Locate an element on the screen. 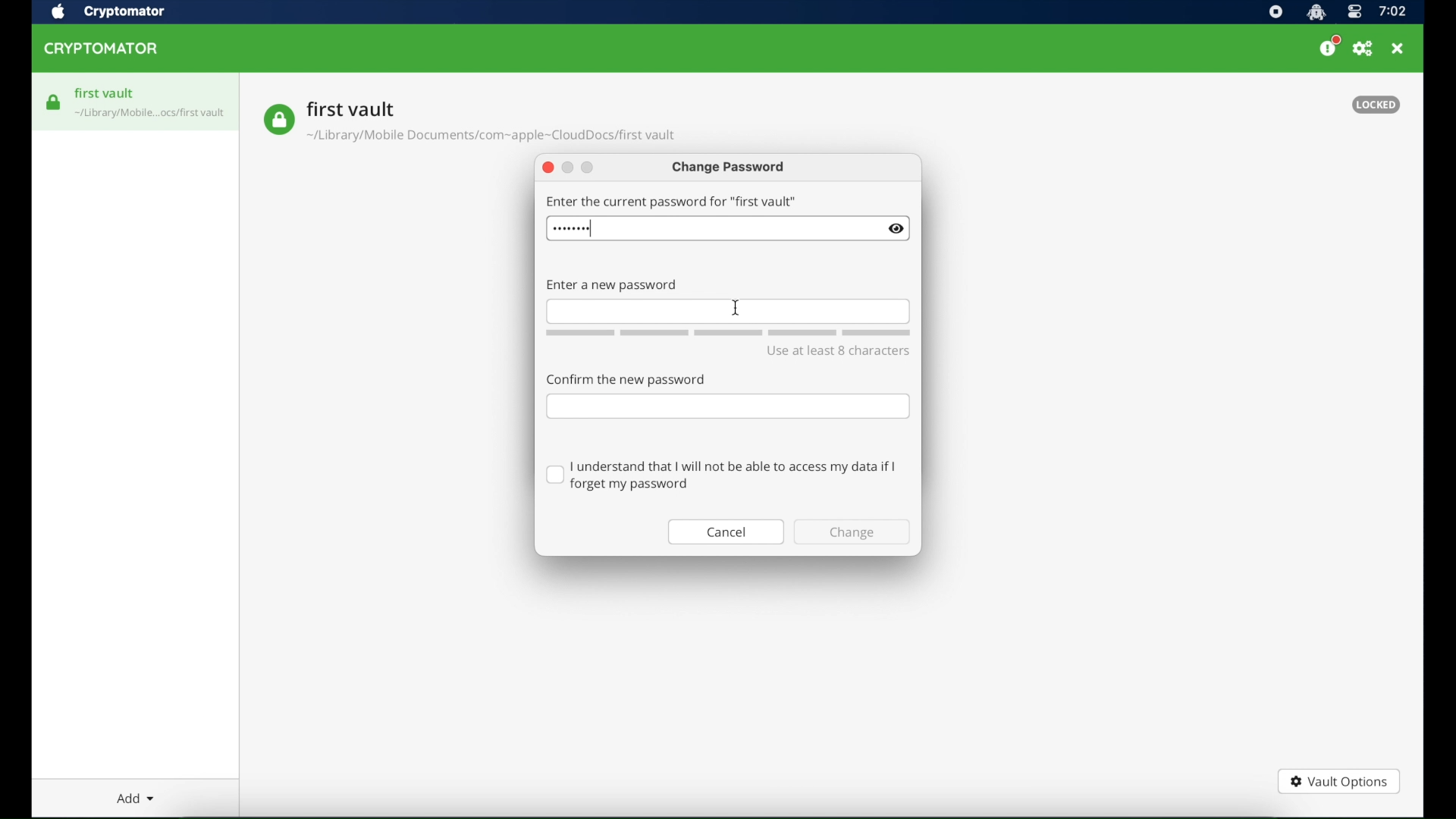 The width and height of the screenshot is (1456, 819). confirm the password is located at coordinates (626, 379).